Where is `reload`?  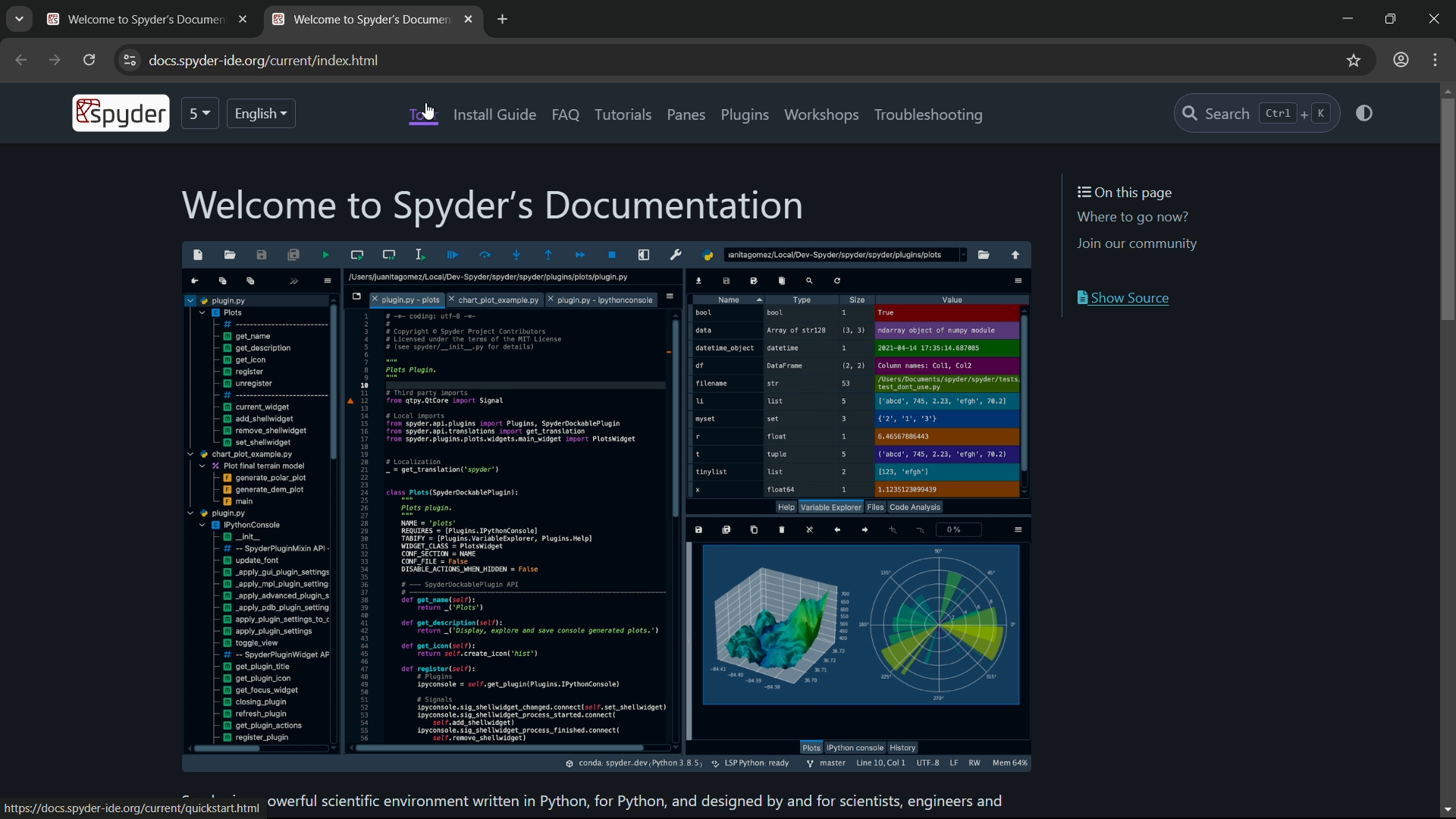
reload is located at coordinates (89, 61).